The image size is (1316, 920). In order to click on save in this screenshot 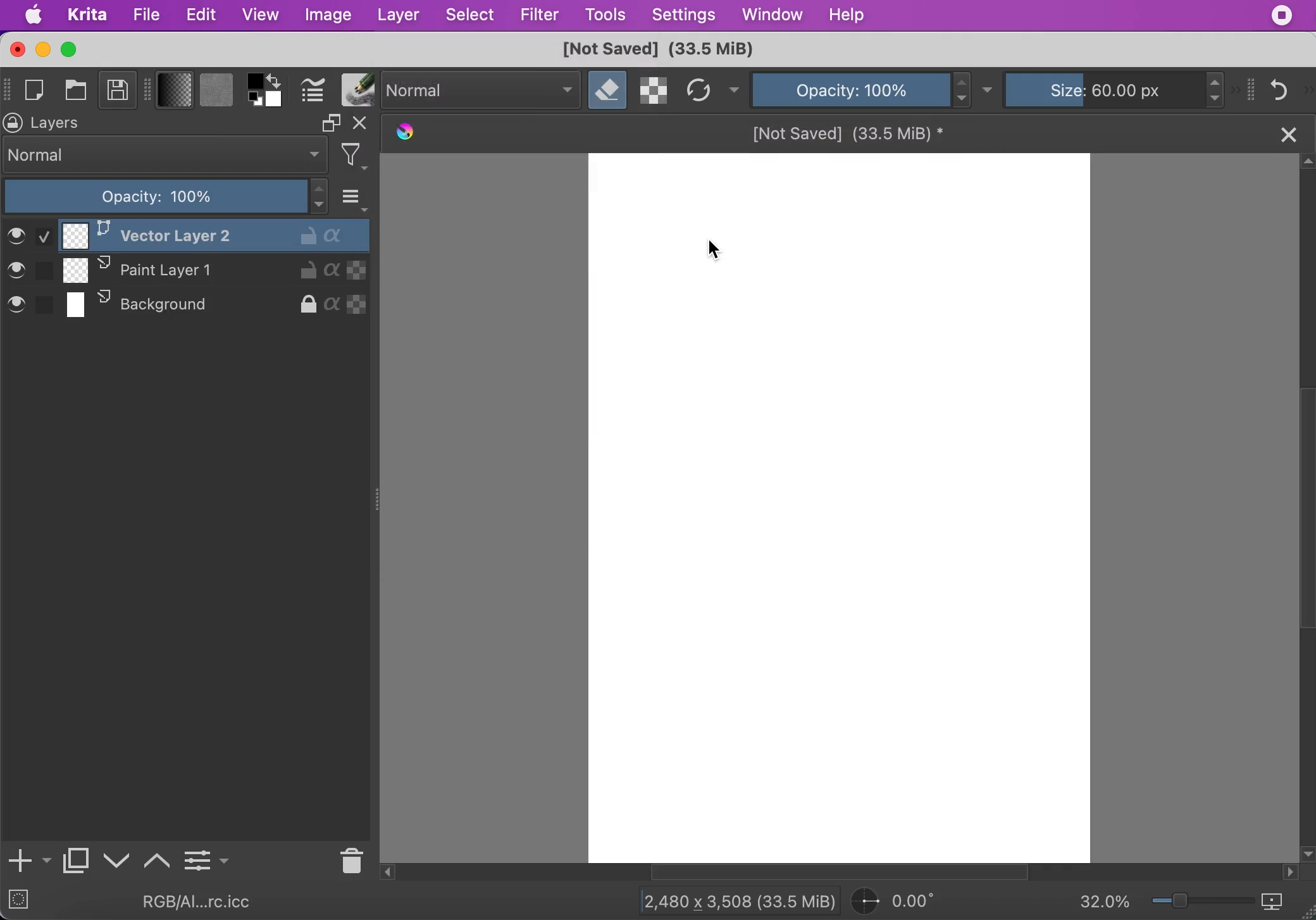, I will do `click(118, 92)`.